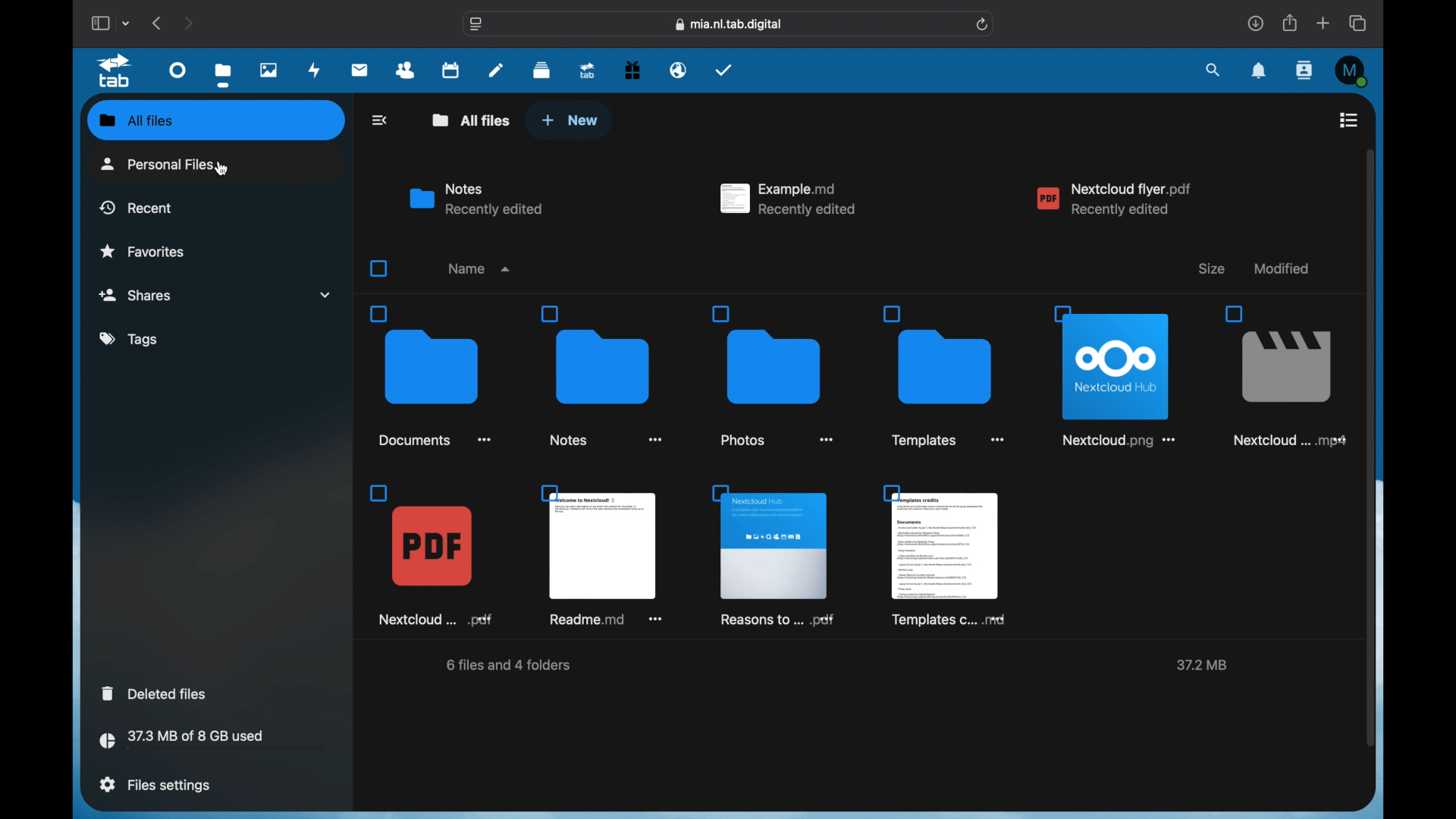 Image resolution: width=1456 pixels, height=819 pixels. I want to click on folder, so click(943, 375).